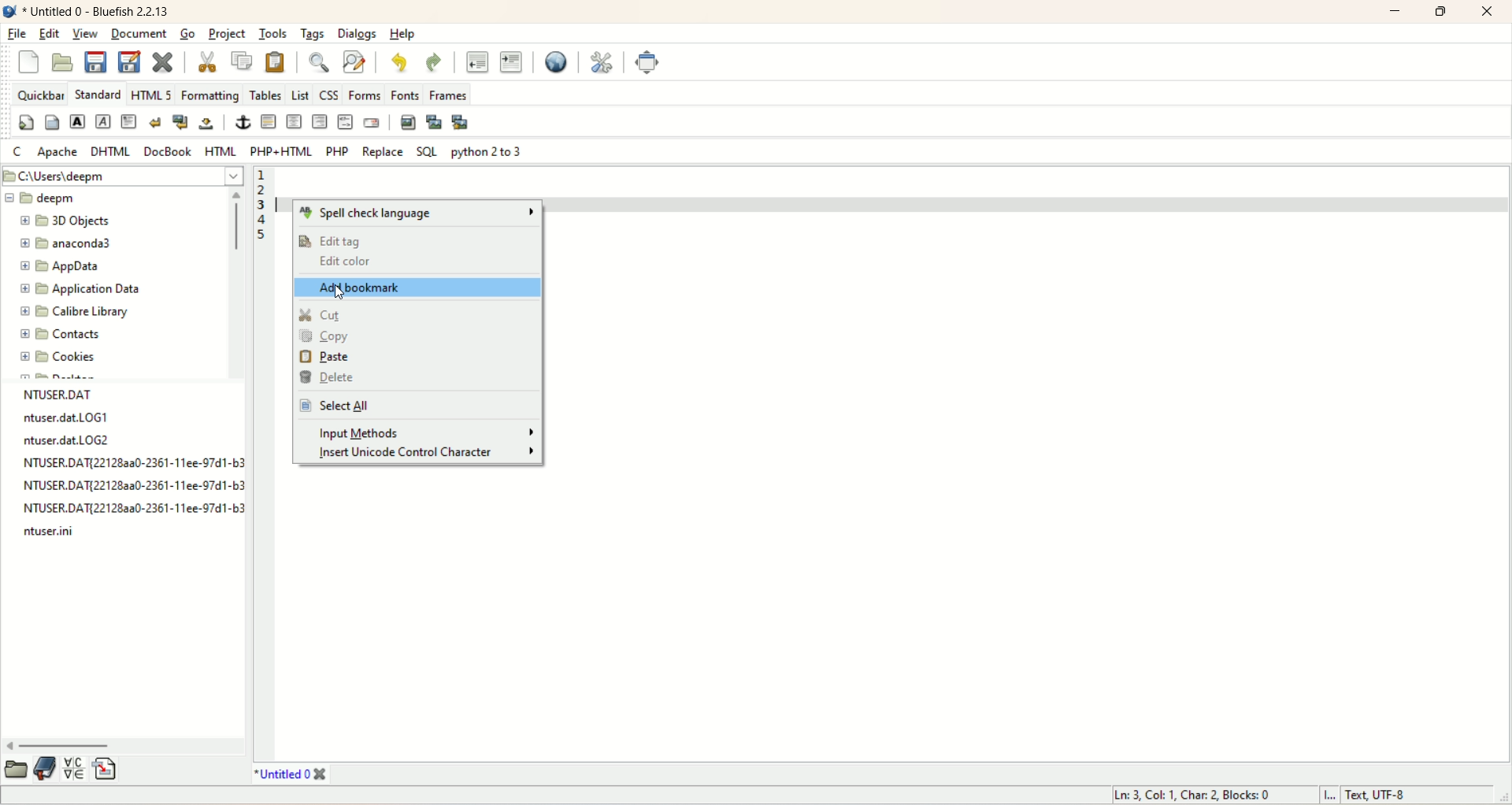 The width and height of the screenshot is (1512, 805). I want to click on ln, col, char, block, so click(1192, 797).